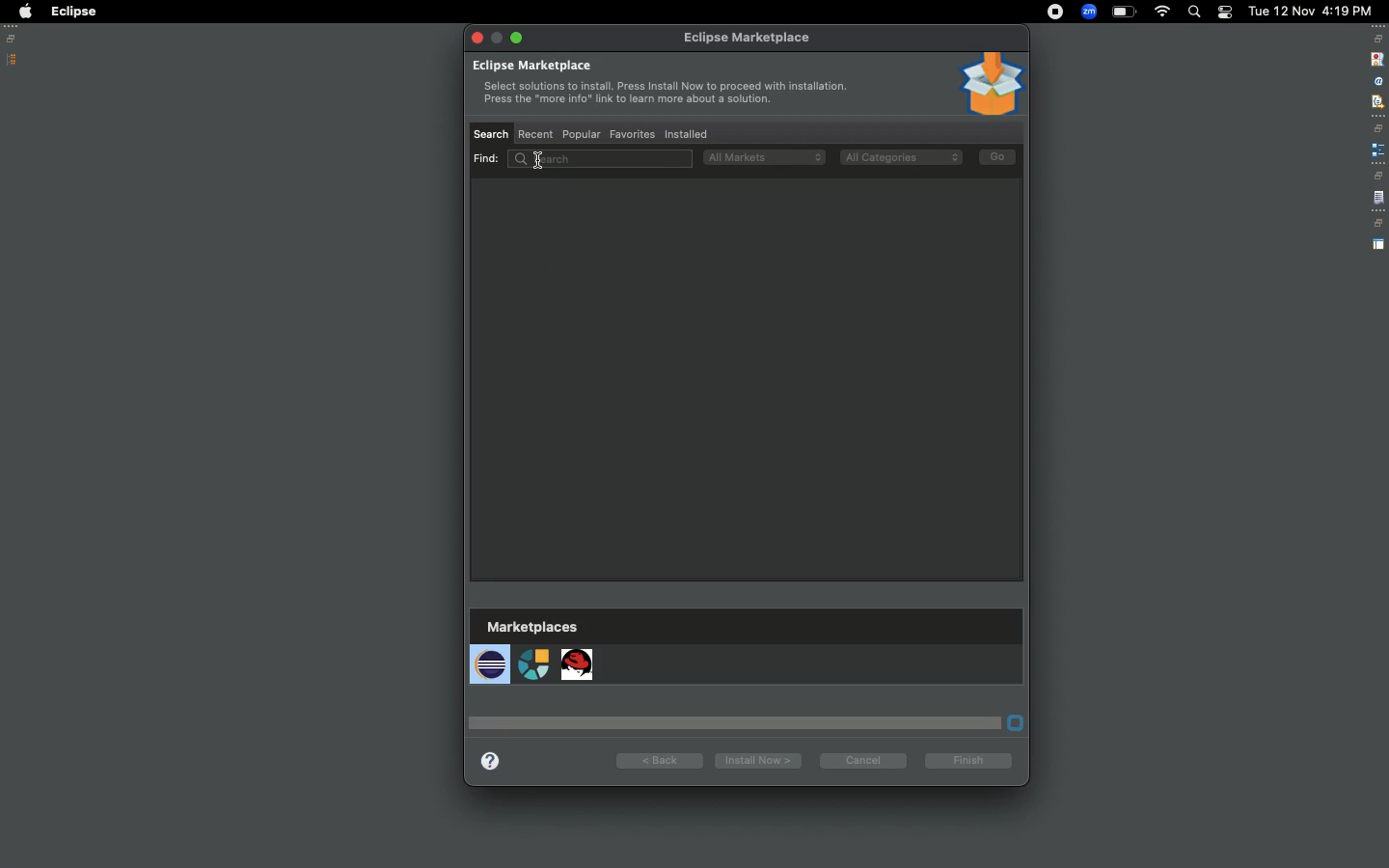 This screenshot has width=1389, height=868. Describe the element at coordinates (1376, 82) in the screenshot. I see `attribute` at that location.